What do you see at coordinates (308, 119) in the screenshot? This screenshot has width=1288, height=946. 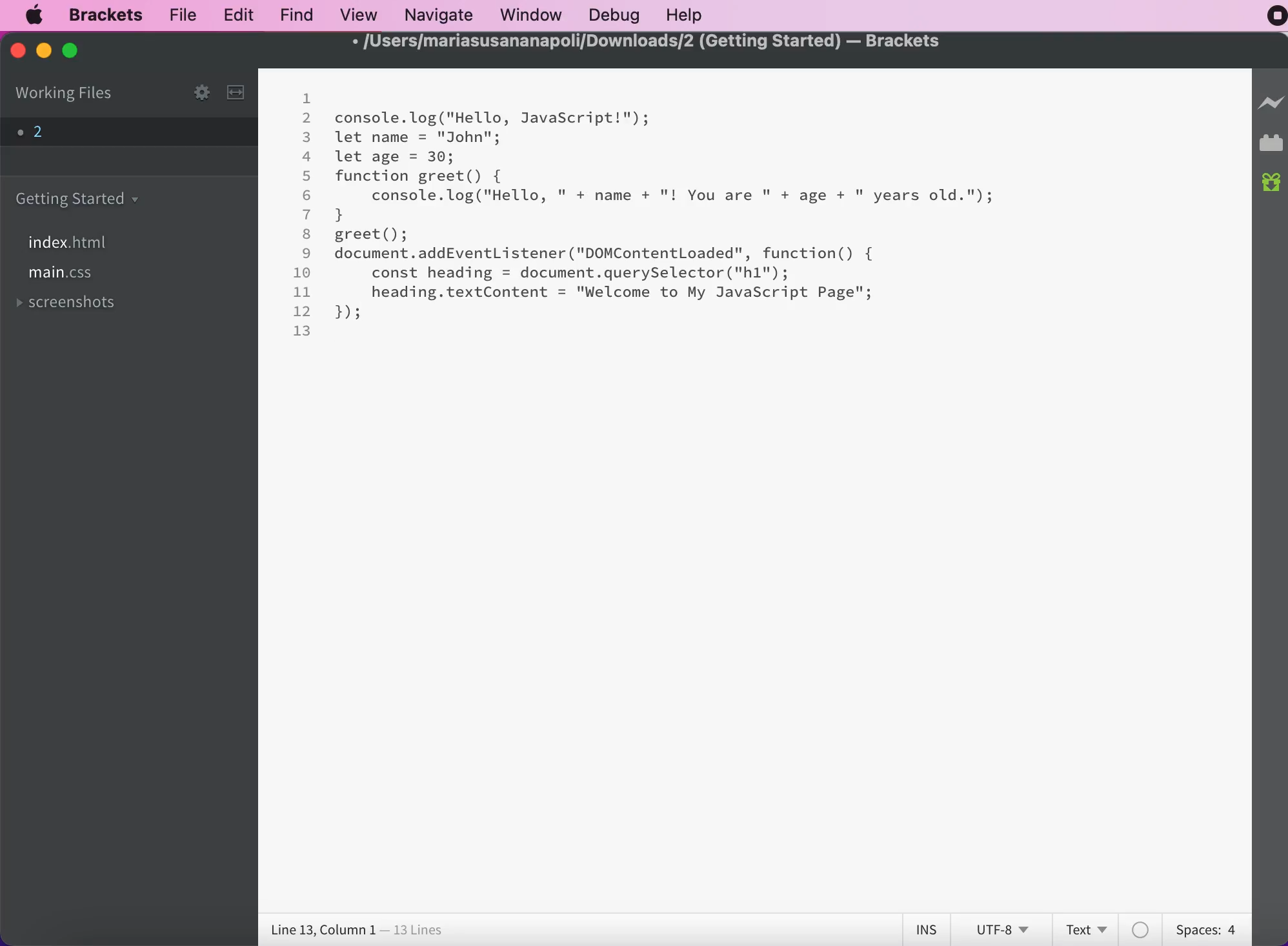 I see `2` at bounding box center [308, 119].